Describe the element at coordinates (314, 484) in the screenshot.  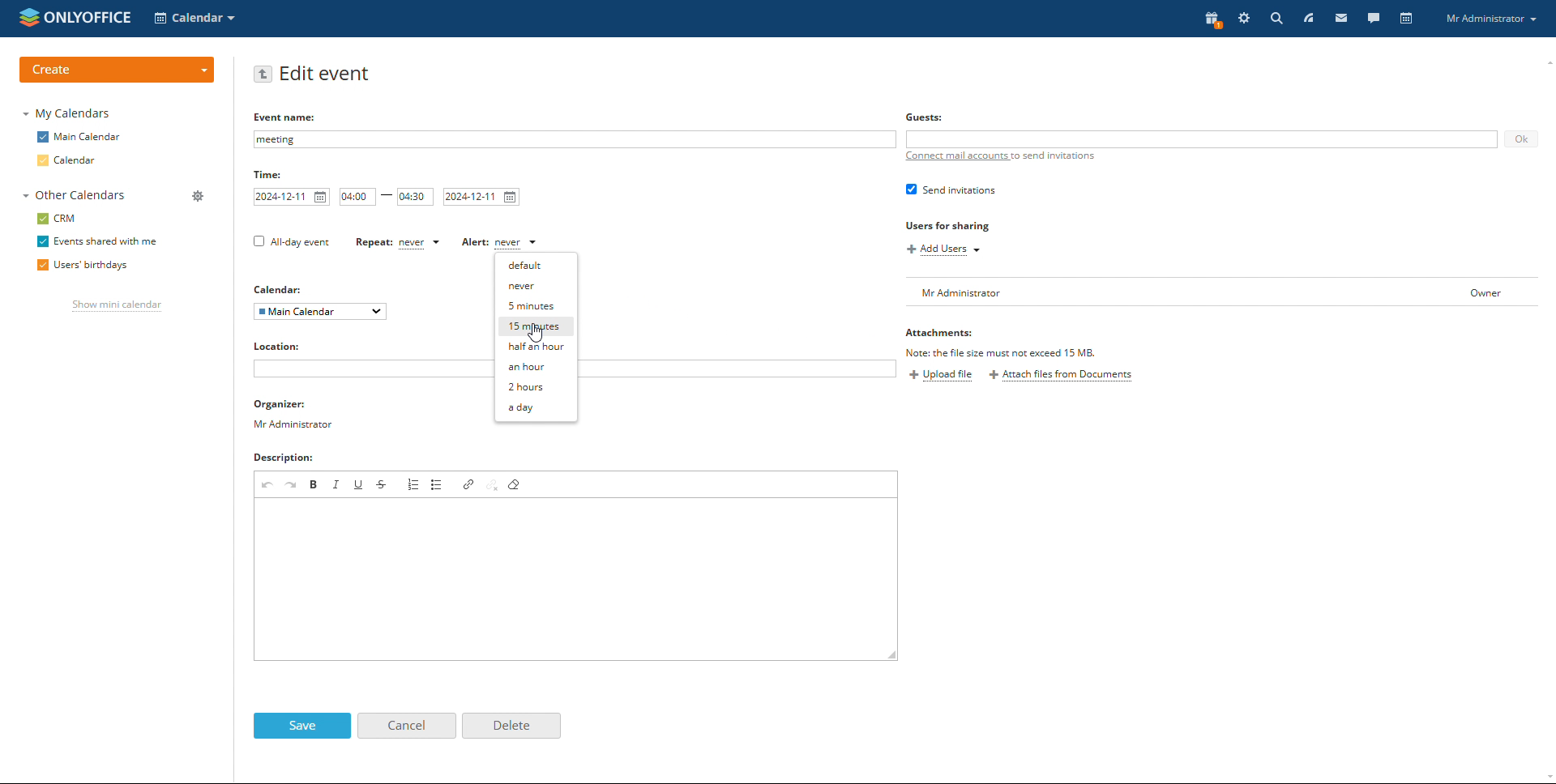
I see `bold` at that location.